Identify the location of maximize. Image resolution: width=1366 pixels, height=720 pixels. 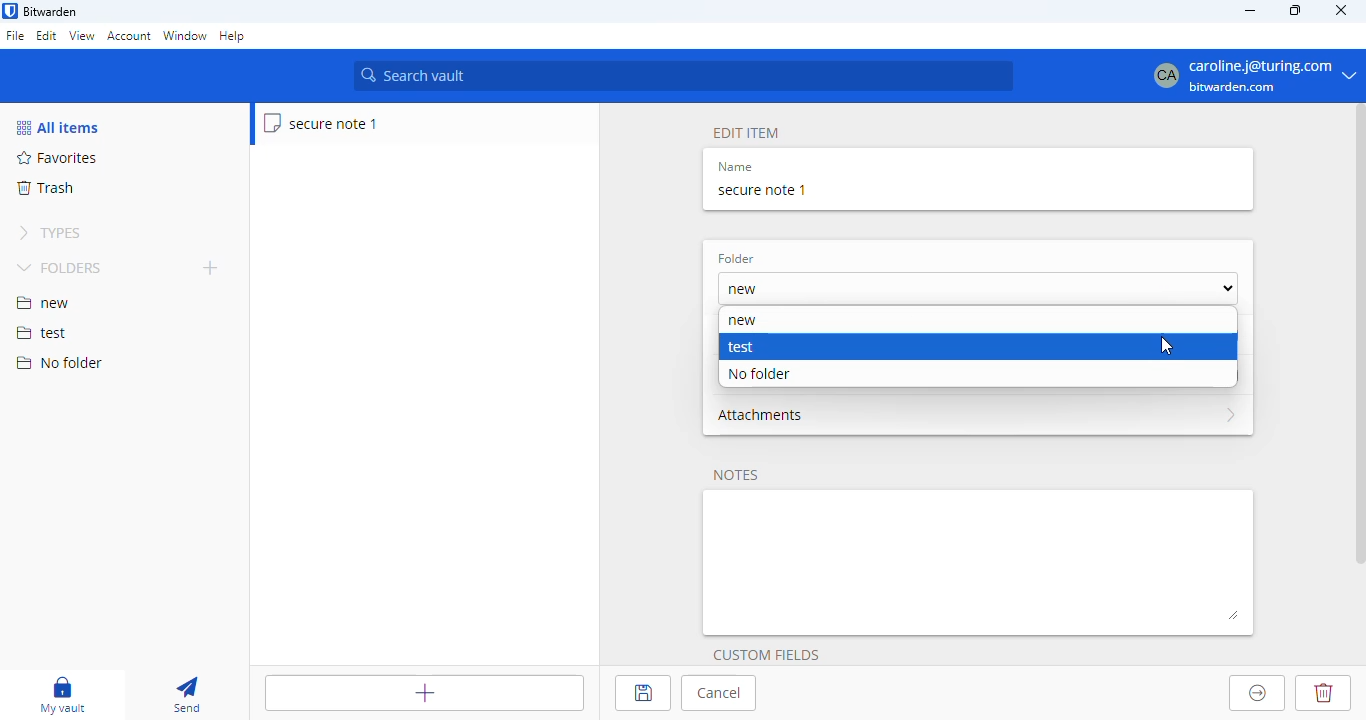
(1297, 10).